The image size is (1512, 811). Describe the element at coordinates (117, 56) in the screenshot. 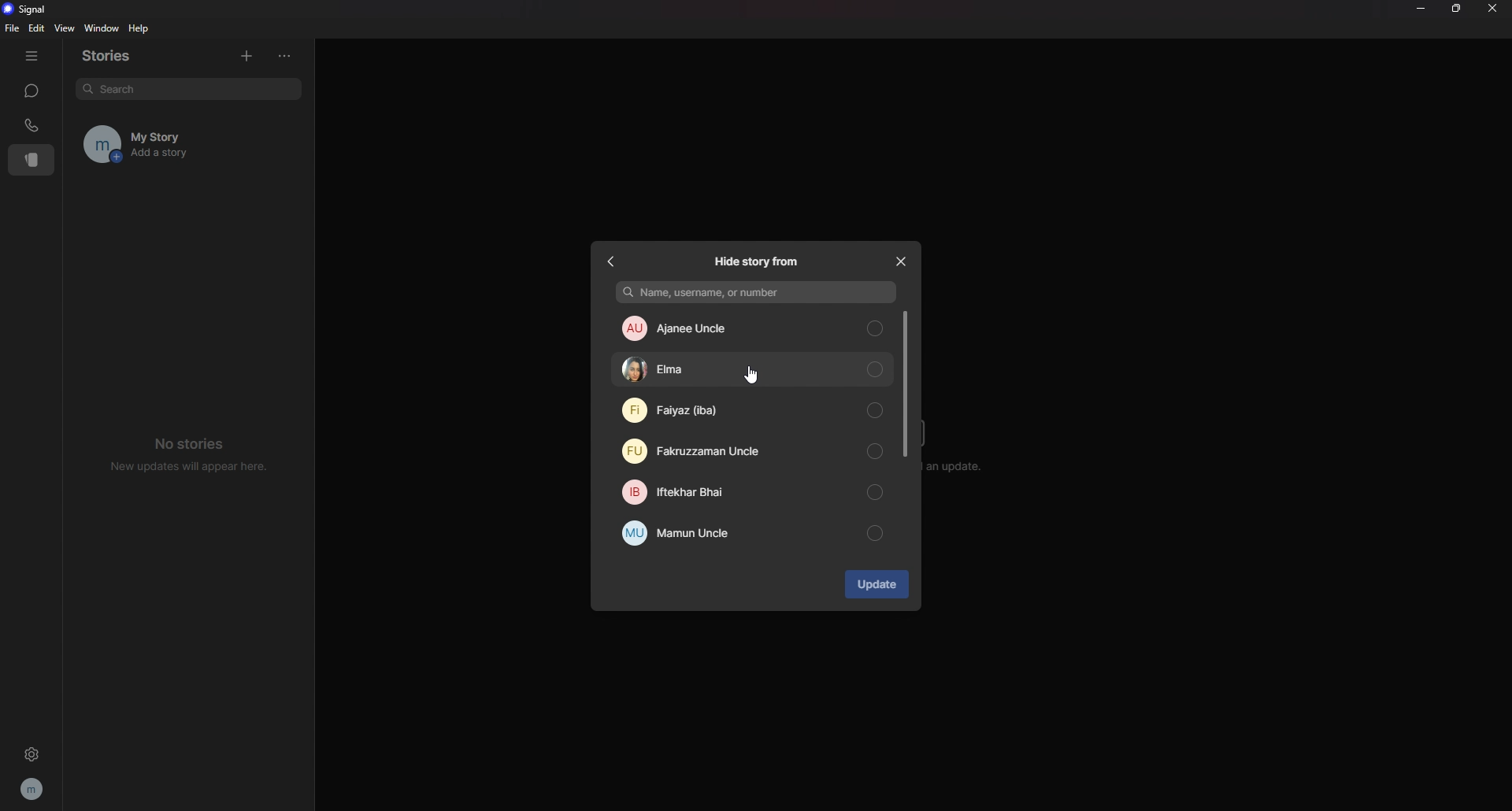

I see `stories` at that location.